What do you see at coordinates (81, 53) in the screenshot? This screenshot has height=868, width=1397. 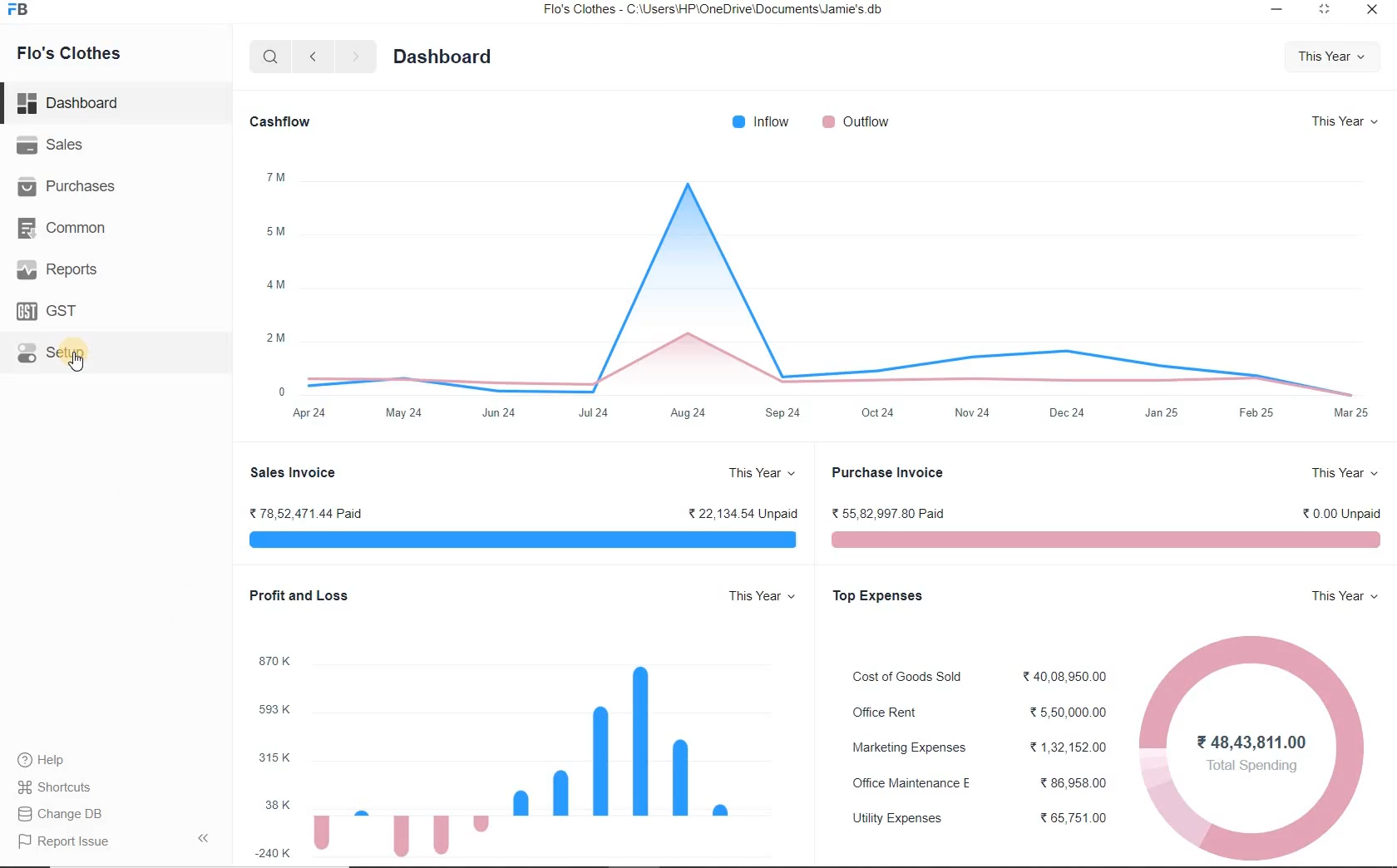 I see `Flo's Clothes` at bounding box center [81, 53].